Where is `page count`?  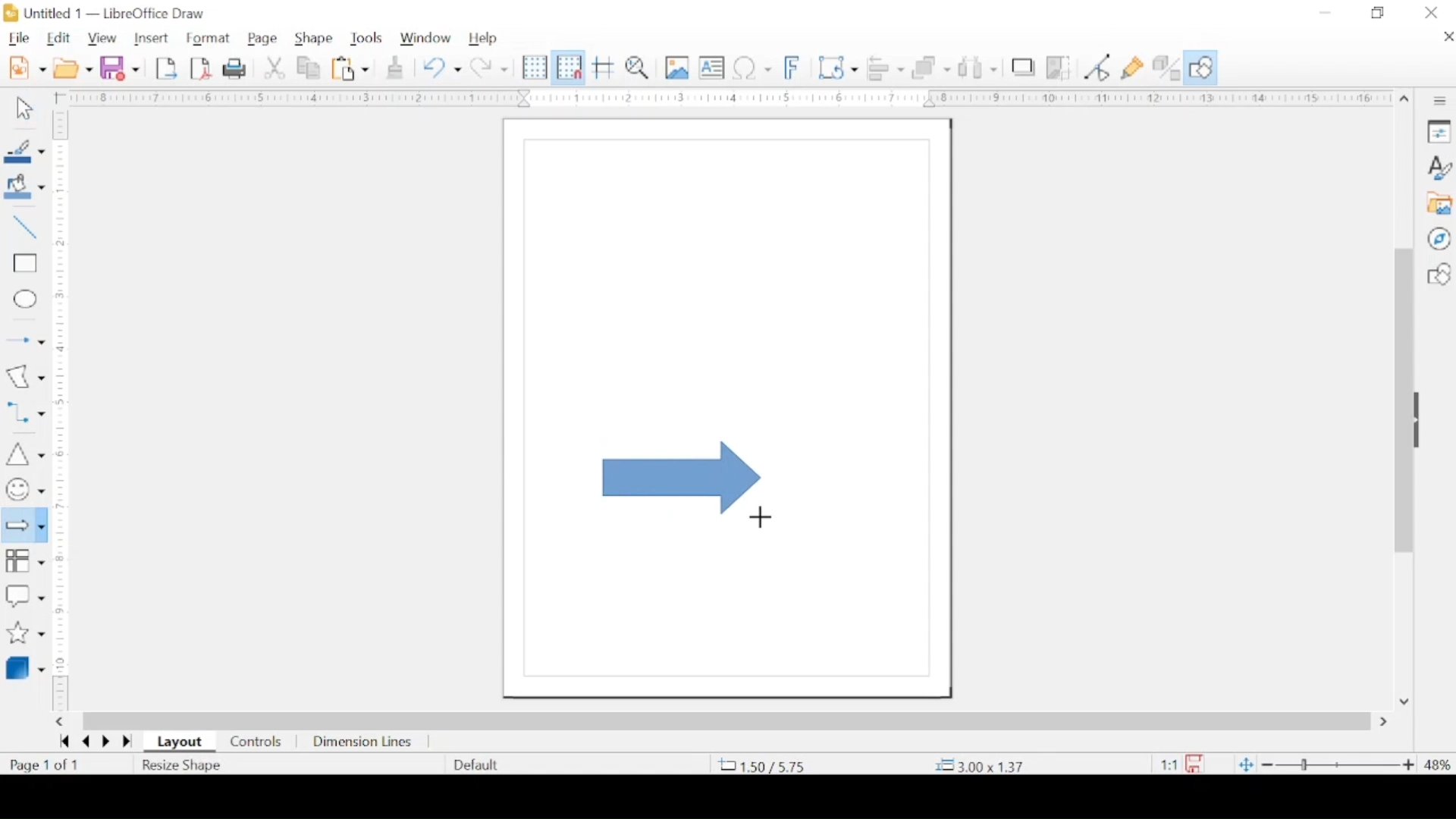 page count is located at coordinates (46, 765).